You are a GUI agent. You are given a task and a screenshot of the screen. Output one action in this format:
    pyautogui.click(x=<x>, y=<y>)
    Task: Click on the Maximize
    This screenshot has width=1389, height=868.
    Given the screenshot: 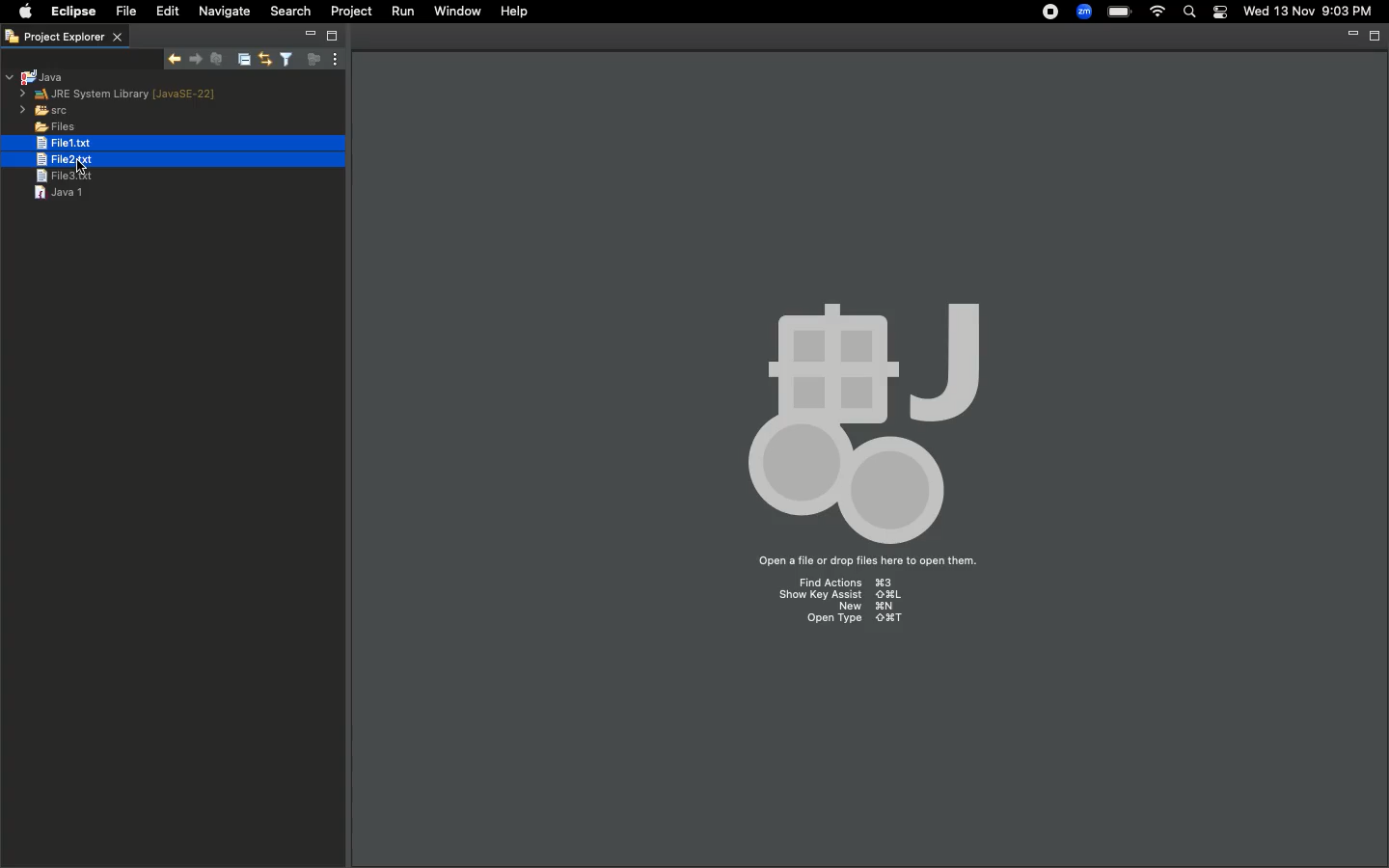 What is the action you would take?
    pyautogui.click(x=331, y=36)
    